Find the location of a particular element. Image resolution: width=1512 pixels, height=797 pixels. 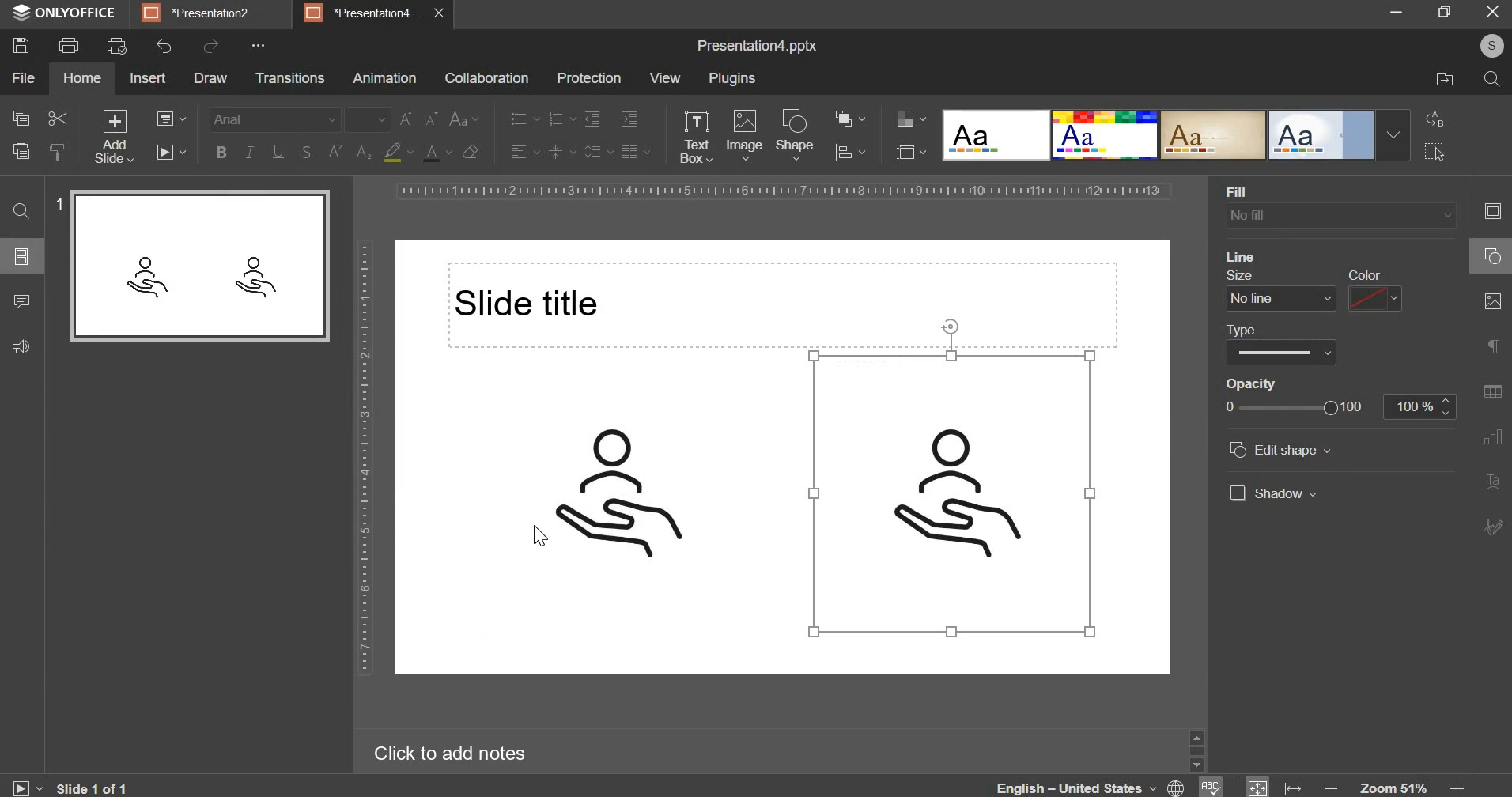

select slide size is located at coordinates (907, 151).